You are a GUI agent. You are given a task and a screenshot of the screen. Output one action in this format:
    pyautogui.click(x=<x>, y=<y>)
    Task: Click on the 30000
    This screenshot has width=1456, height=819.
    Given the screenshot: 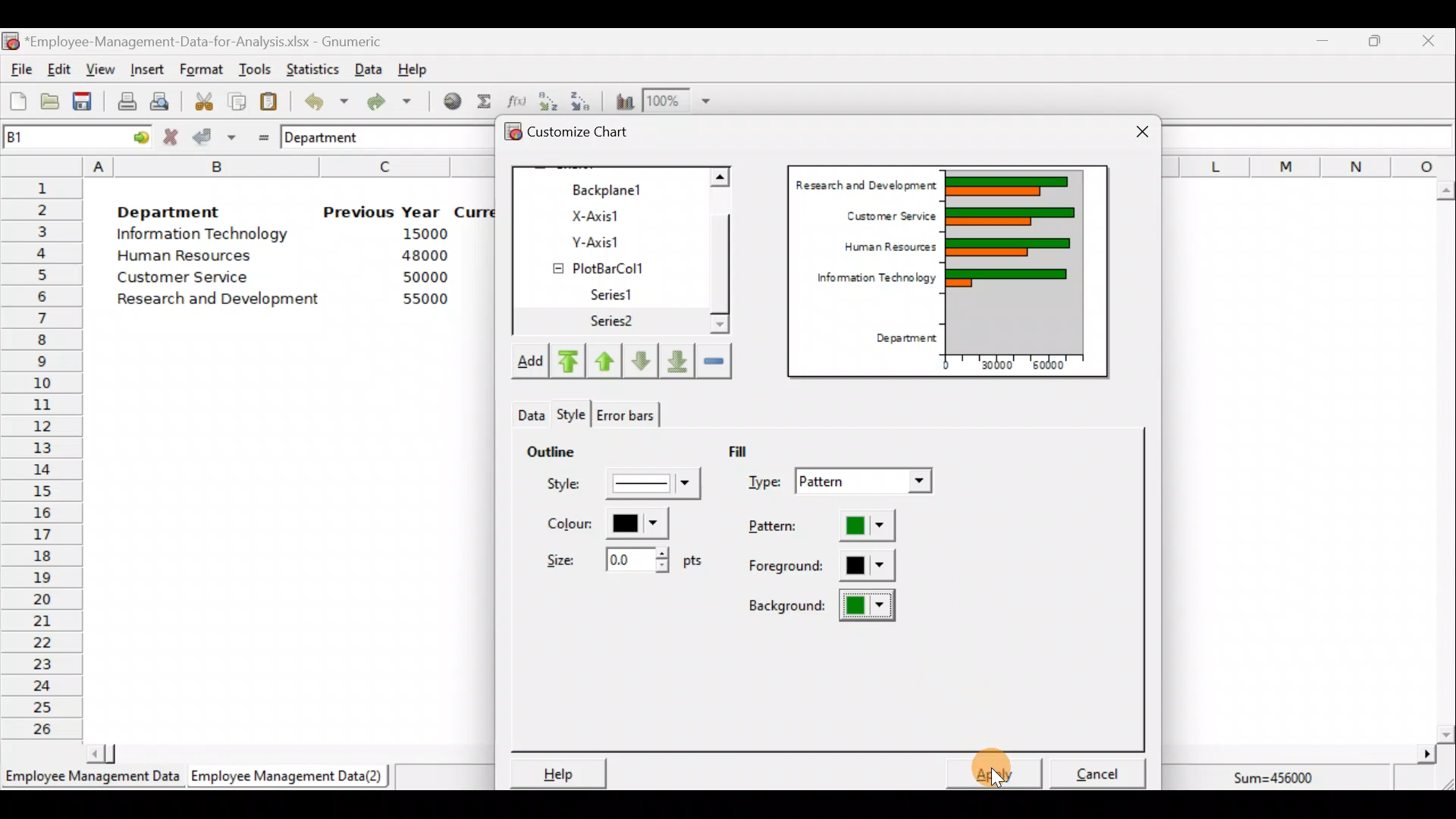 What is the action you would take?
    pyautogui.click(x=996, y=363)
    